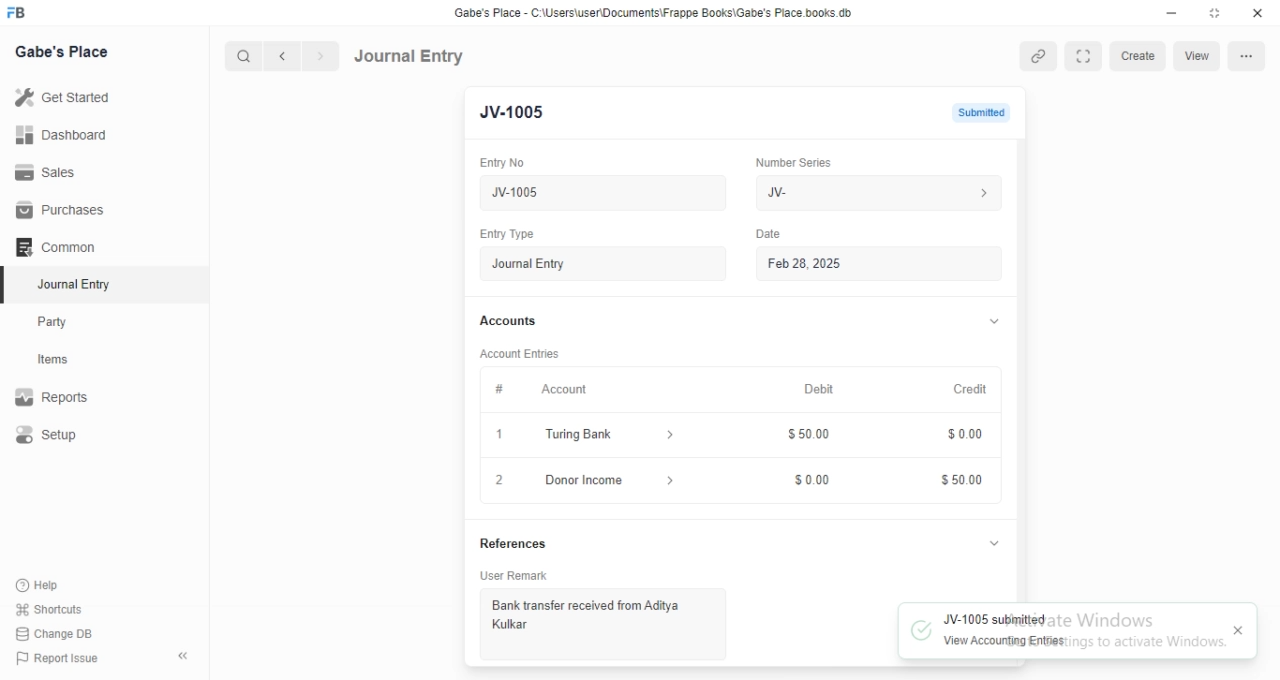 Image resolution: width=1280 pixels, height=680 pixels. What do you see at coordinates (65, 399) in the screenshot?
I see `Reports` at bounding box center [65, 399].